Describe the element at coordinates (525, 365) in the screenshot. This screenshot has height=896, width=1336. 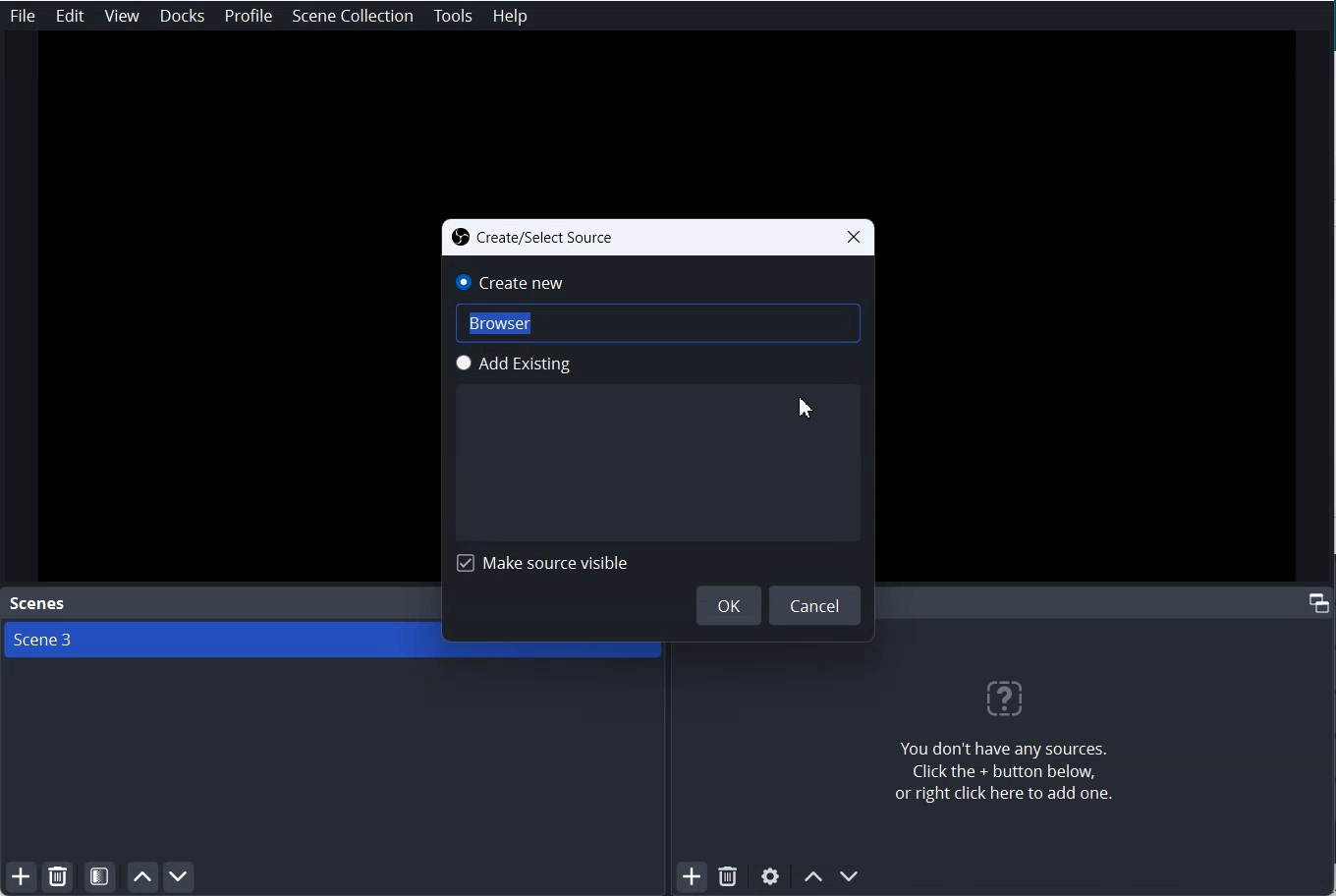
I see `(un)check Add Existing` at that location.